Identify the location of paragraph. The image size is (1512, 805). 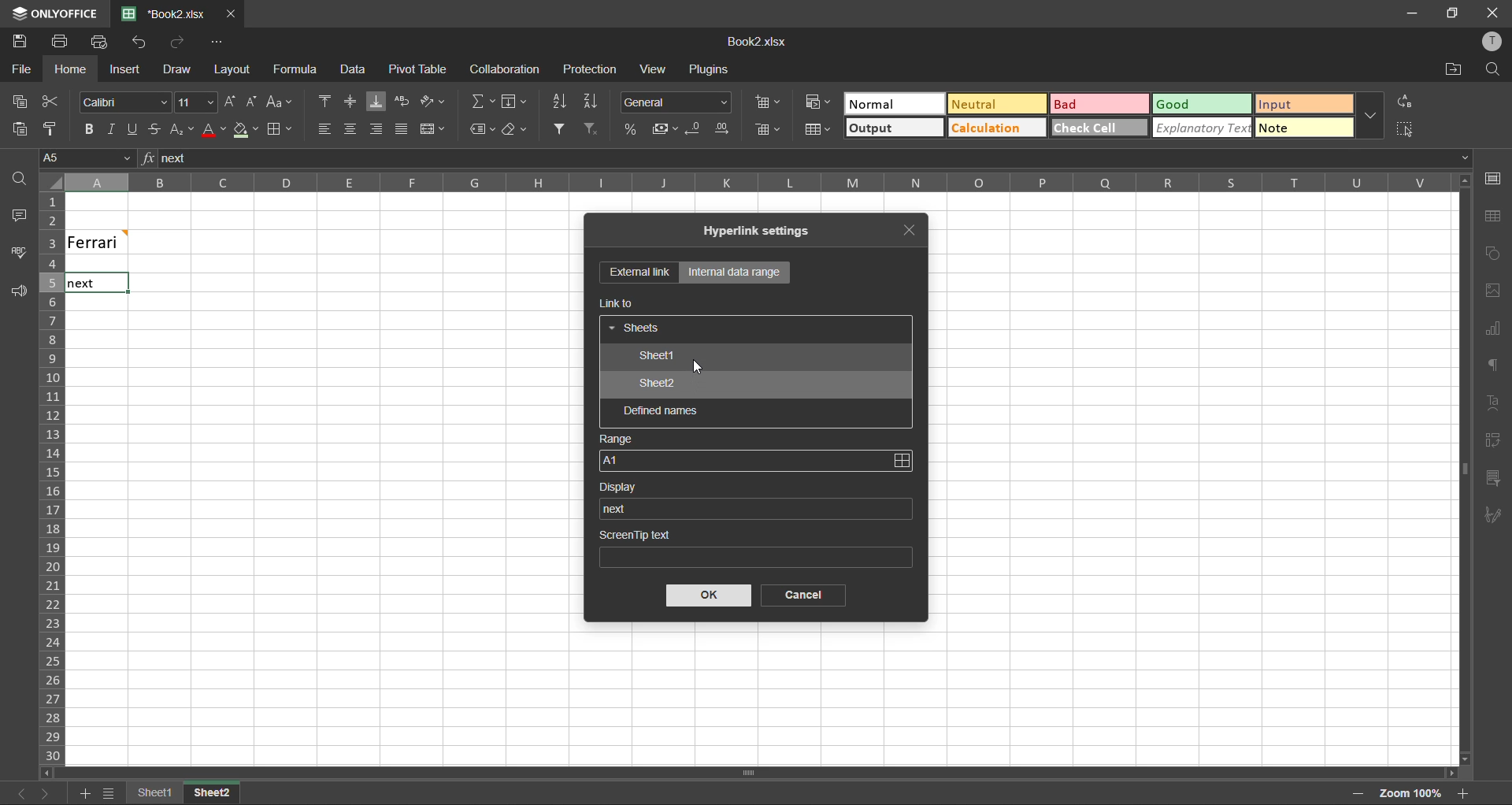
(1494, 367).